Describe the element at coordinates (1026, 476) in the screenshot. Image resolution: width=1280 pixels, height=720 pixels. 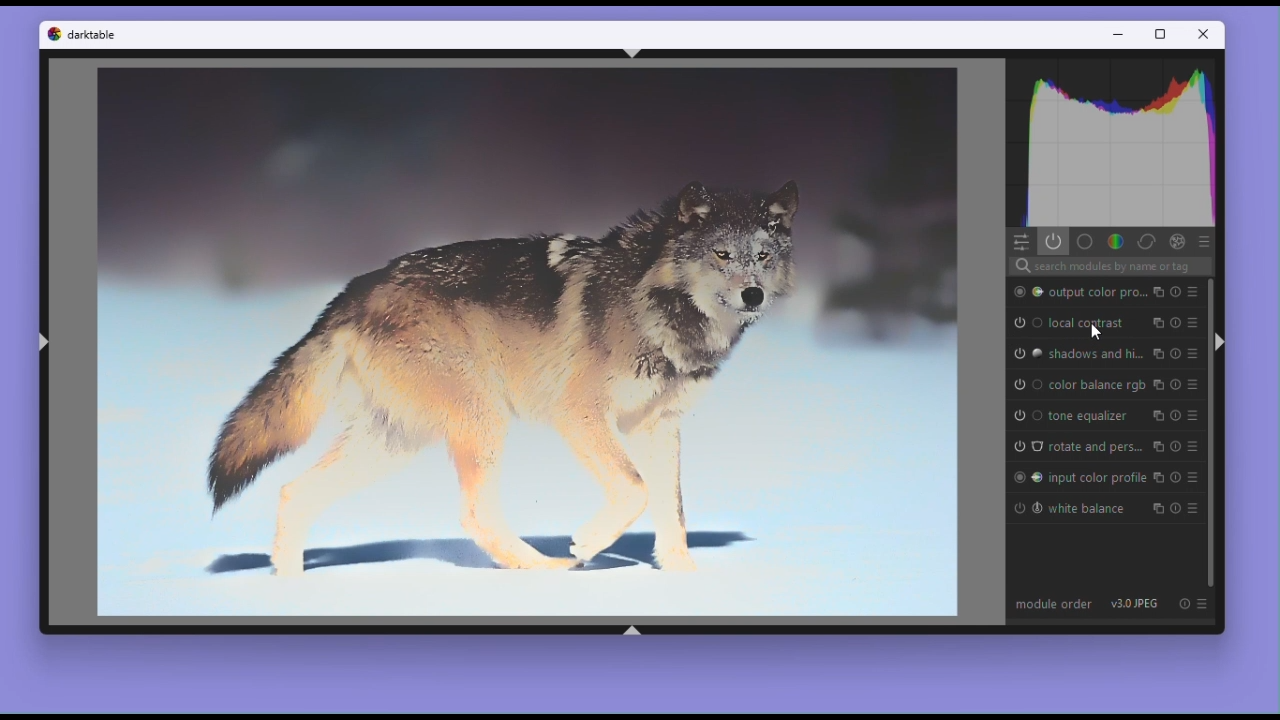
I see `'input color profile' is switched on` at that location.